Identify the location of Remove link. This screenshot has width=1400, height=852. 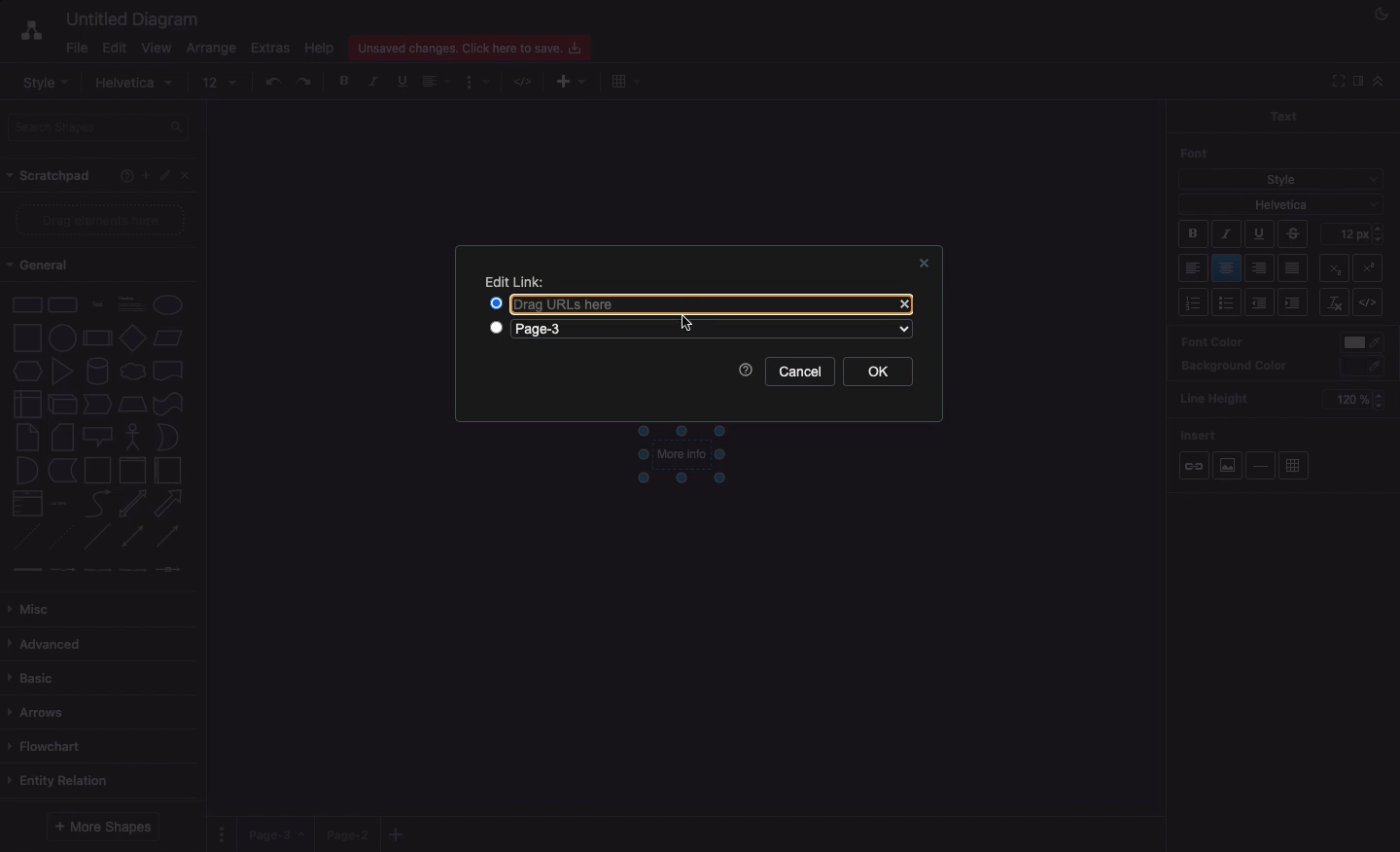
(1334, 302).